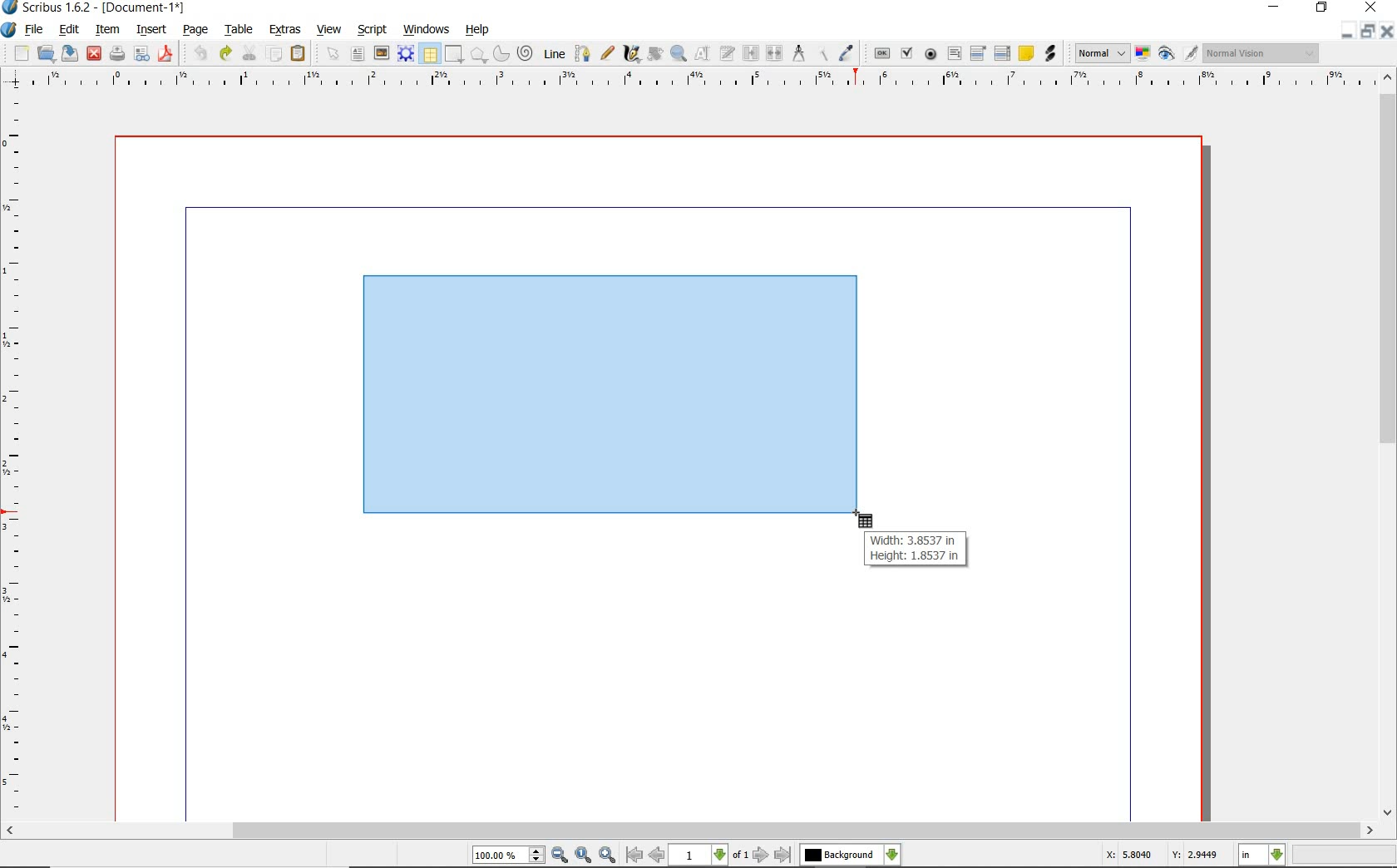 The image size is (1397, 868). I want to click on restore, so click(1366, 32).